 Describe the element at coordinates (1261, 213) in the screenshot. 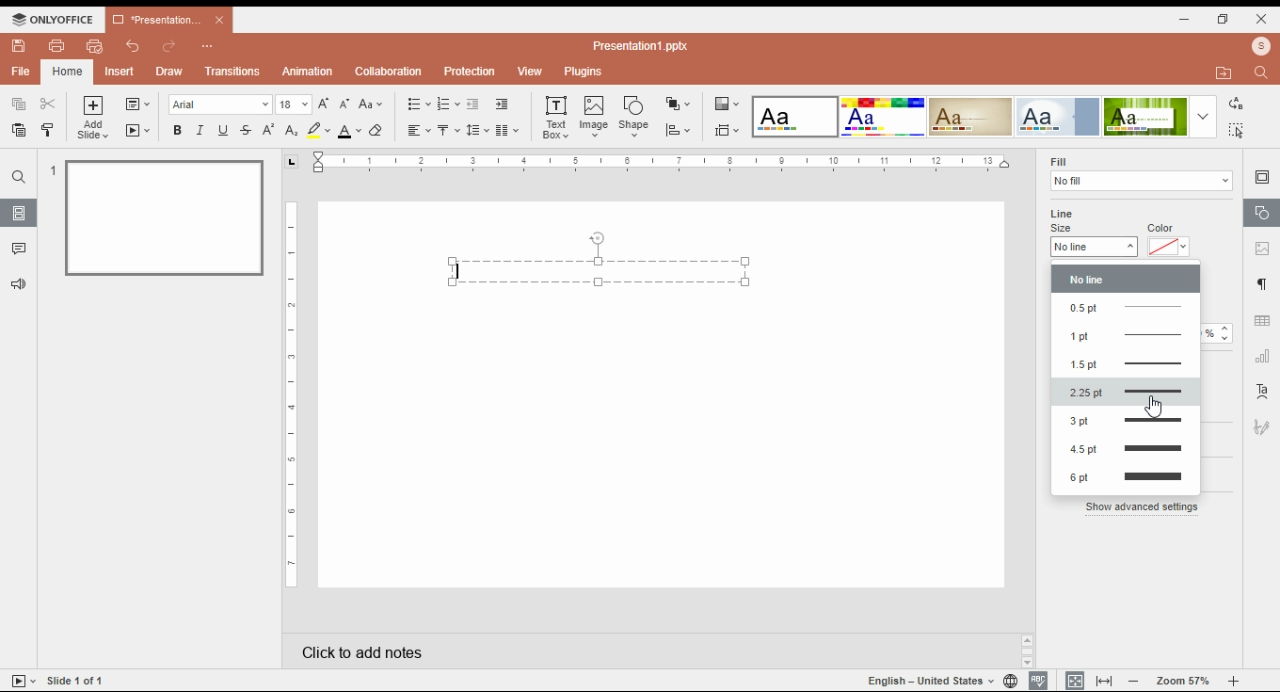

I see `shape settings` at that location.